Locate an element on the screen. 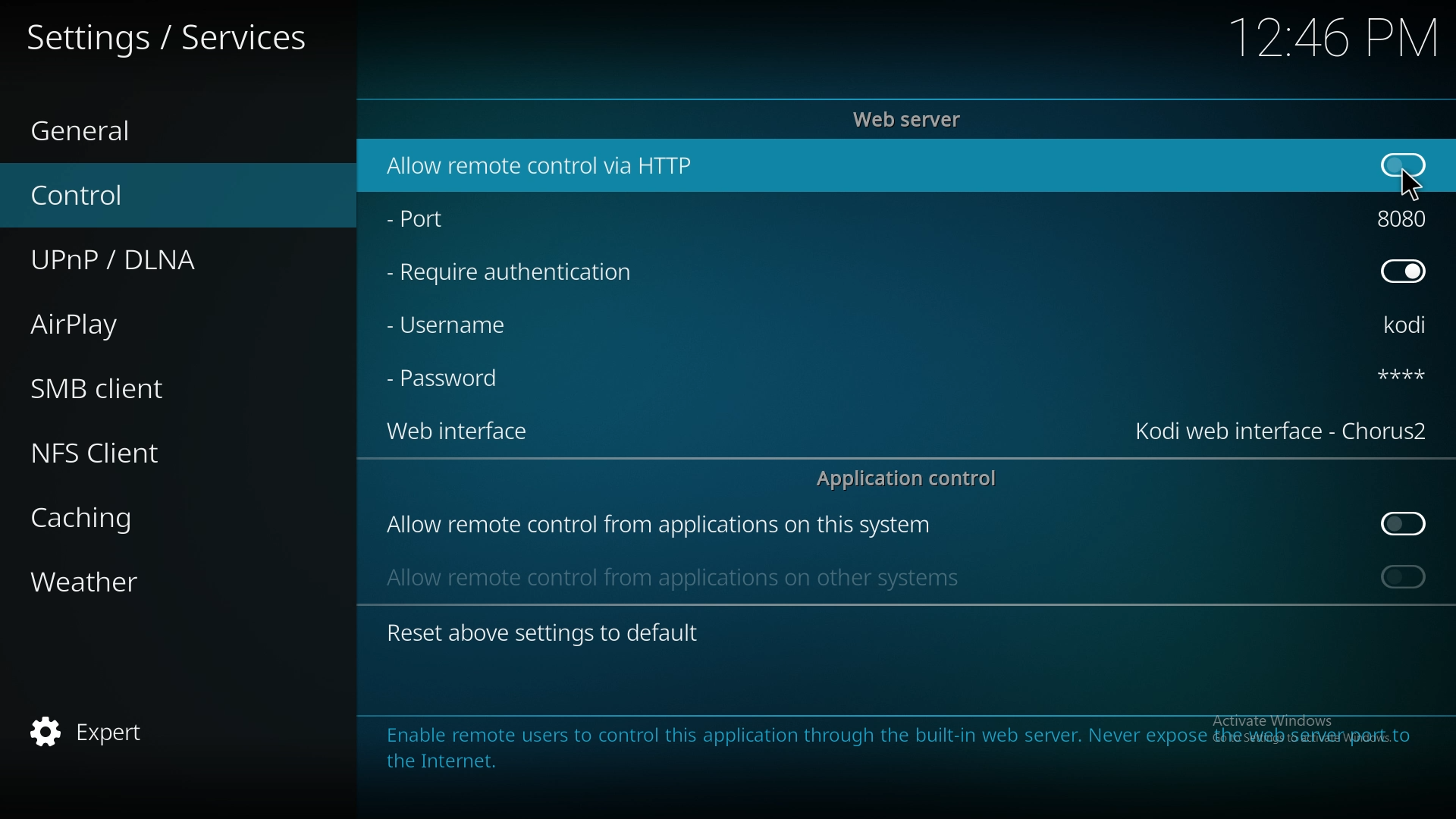  port is located at coordinates (426, 215).